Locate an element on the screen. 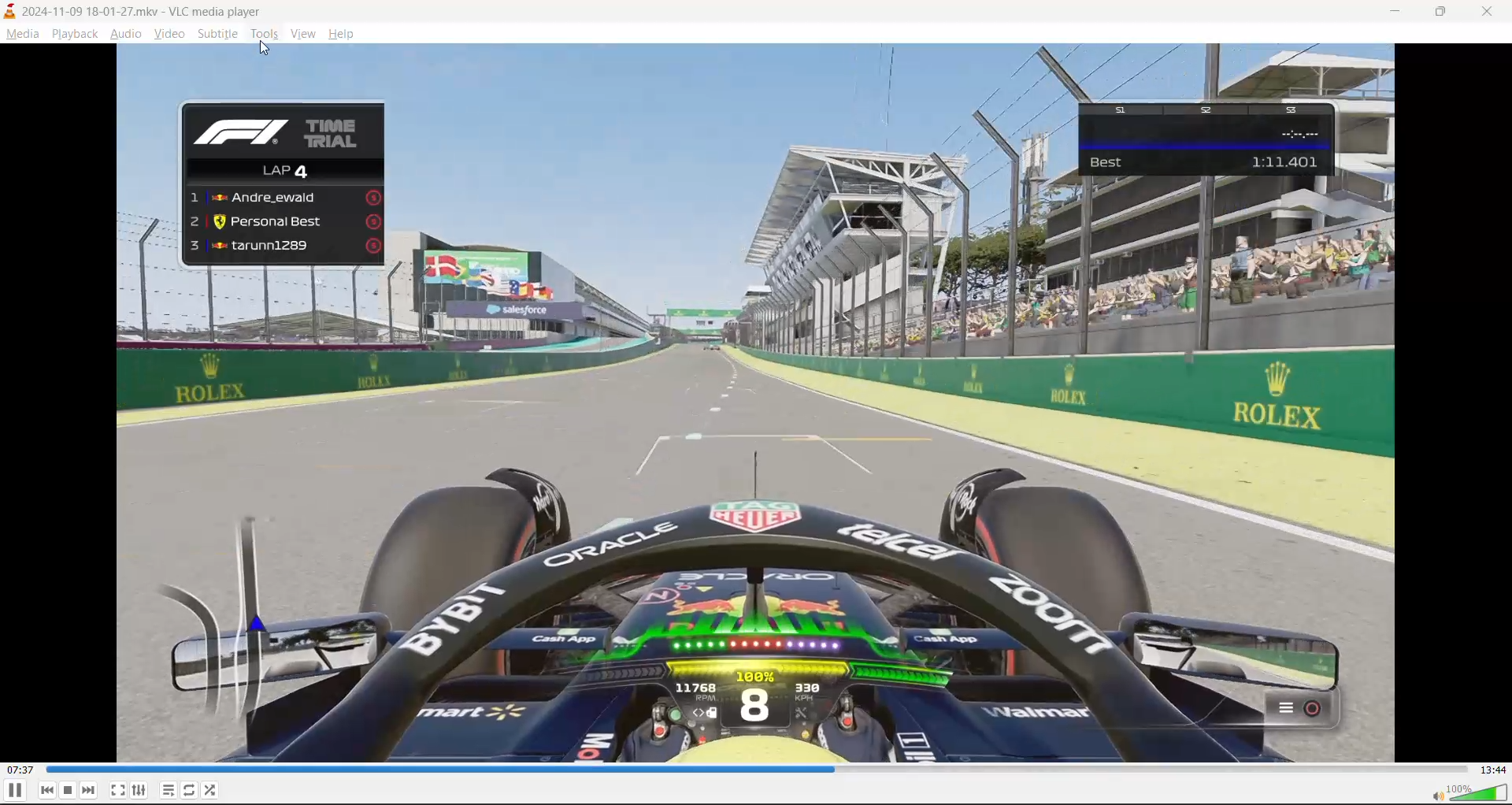 Image resolution: width=1512 pixels, height=805 pixels. playback is located at coordinates (76, 32).